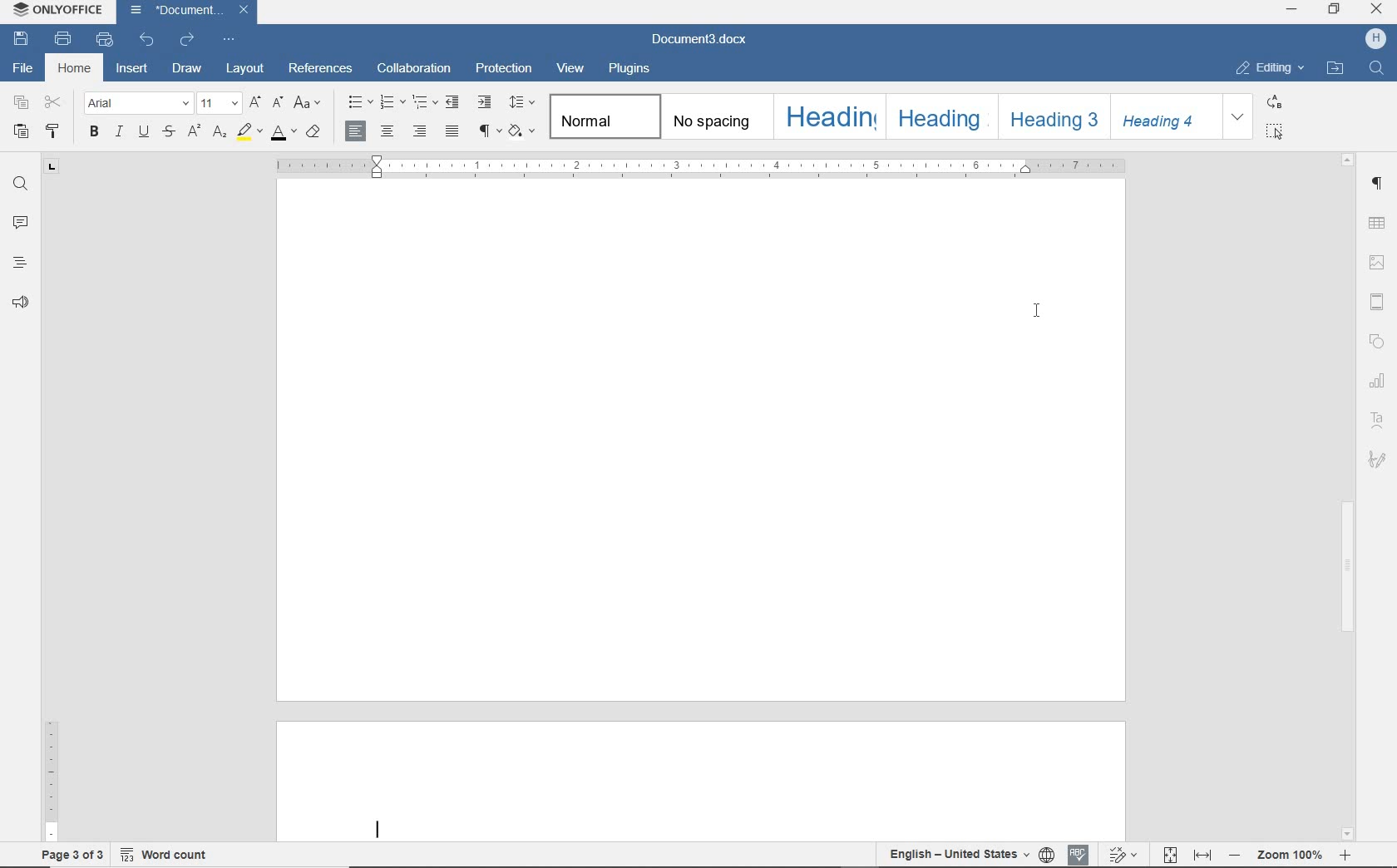 The height and width of the screenshot is (868, 1397). I want to click on BULLETS, so click(359, 102).